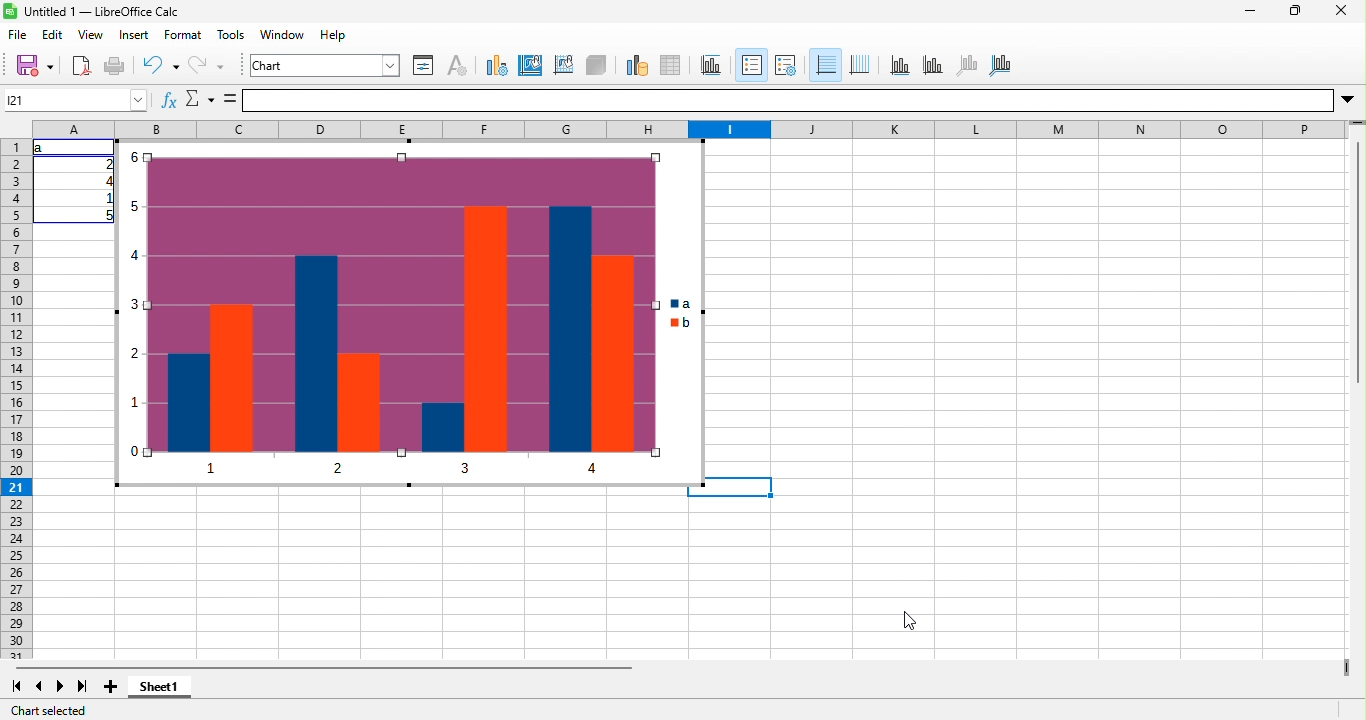 The height and width of the screenshot is (720, 1366). Describe the element at coordinates (637, 67) in the screenshot. I see `data range` at that location.